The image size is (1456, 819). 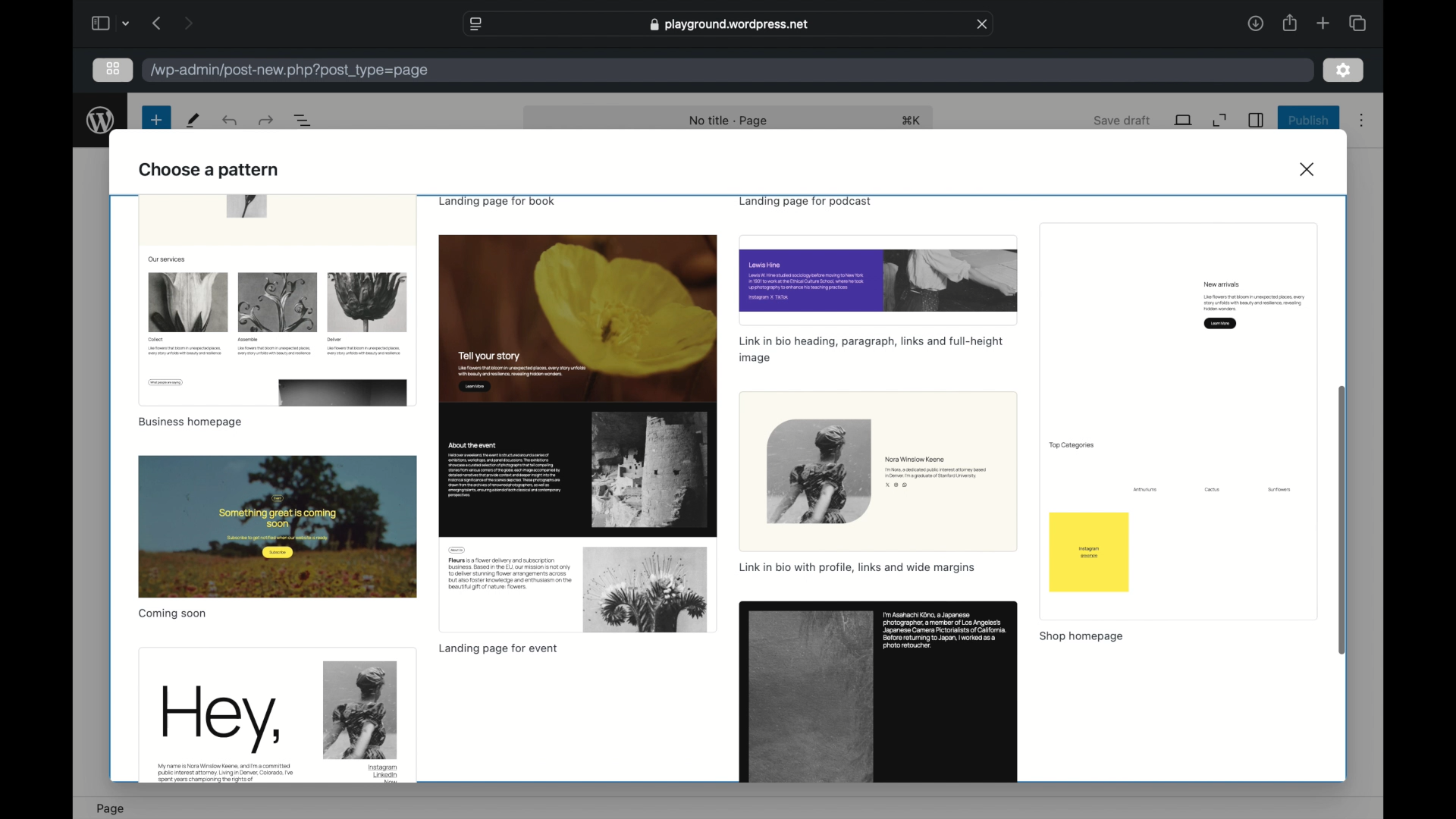 I want to click on landing page for book, so click(x=500, y=202).